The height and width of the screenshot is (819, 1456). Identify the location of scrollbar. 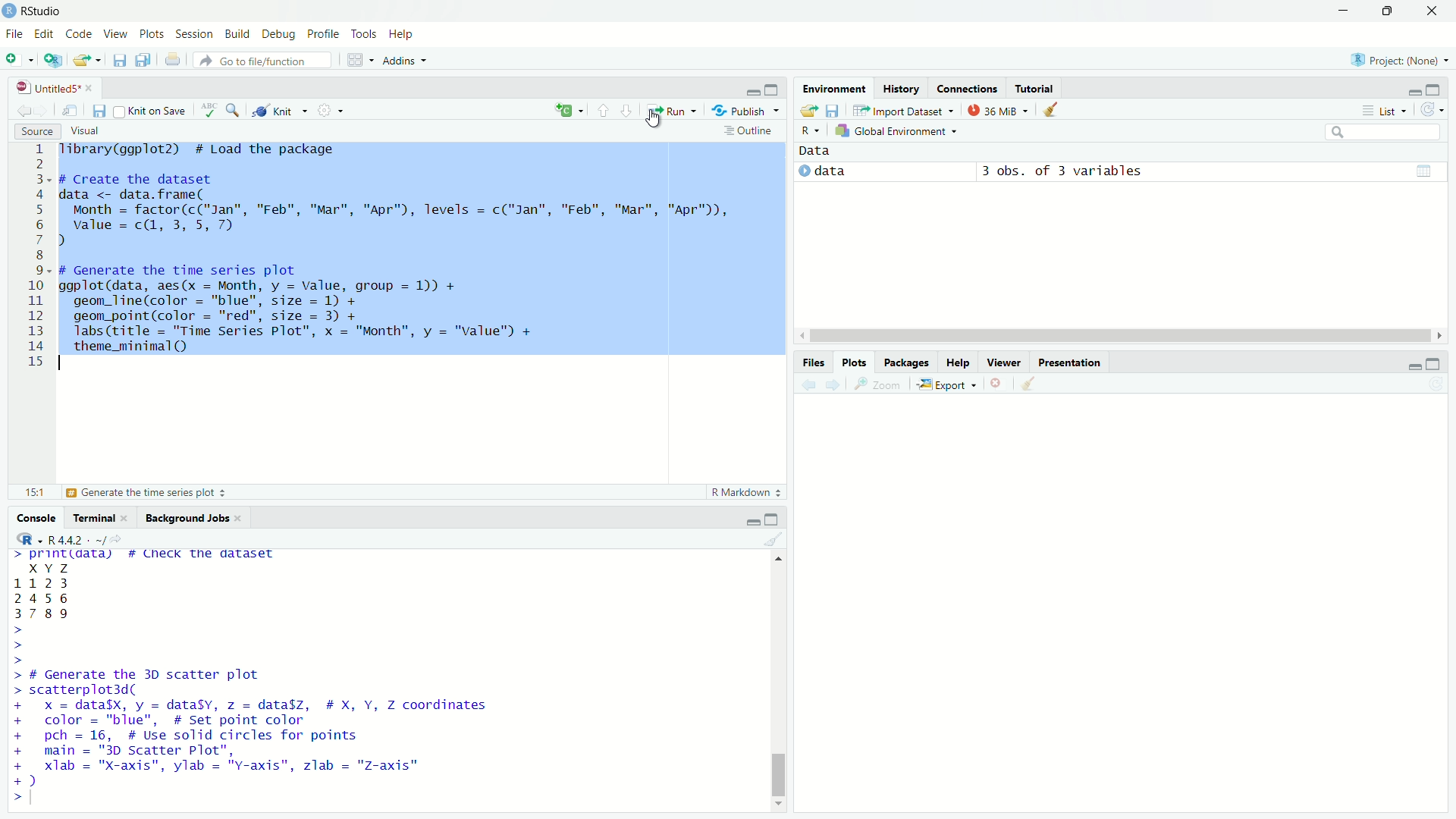
(777, 686).